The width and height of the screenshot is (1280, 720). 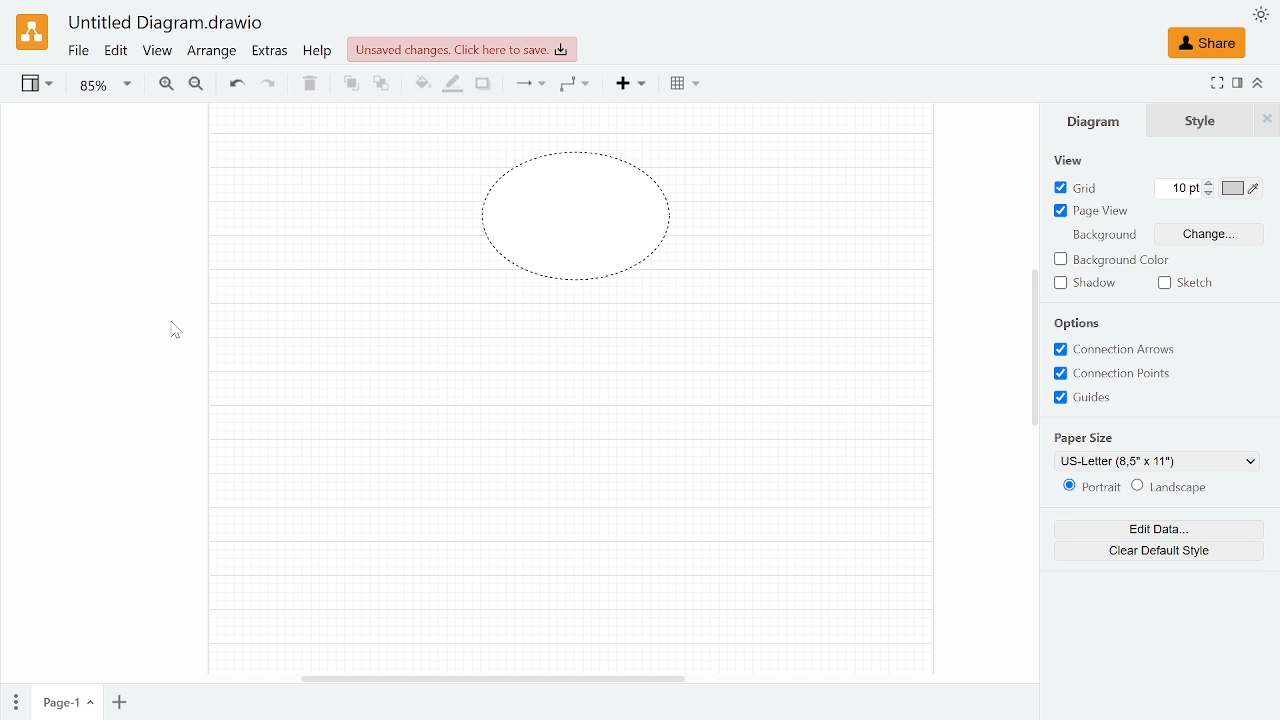 I want to click on Arrange, so click(x=213, y=52).